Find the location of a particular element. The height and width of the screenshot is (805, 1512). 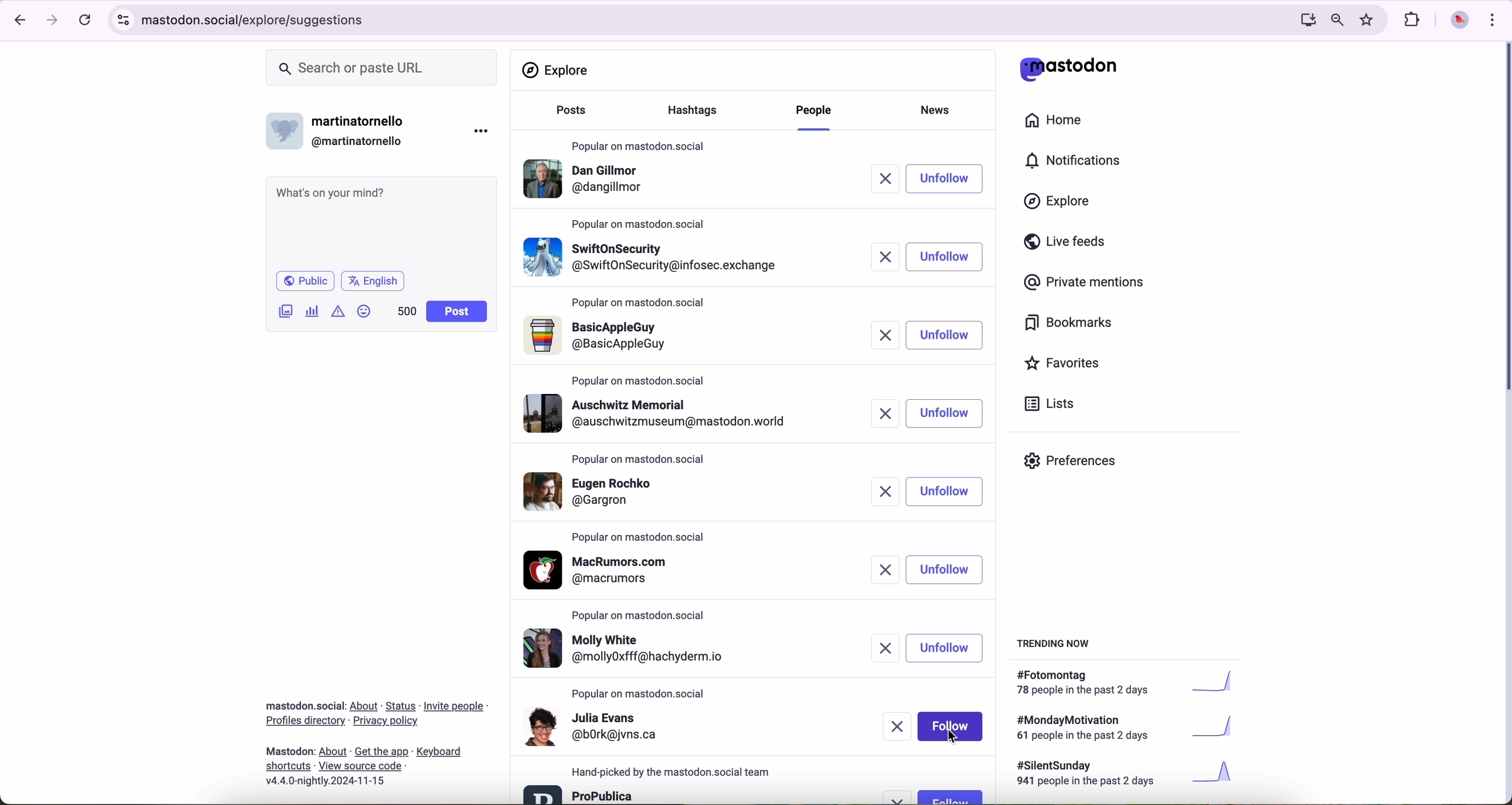

popular on mastodon.social is located at coordinates (637, 457).